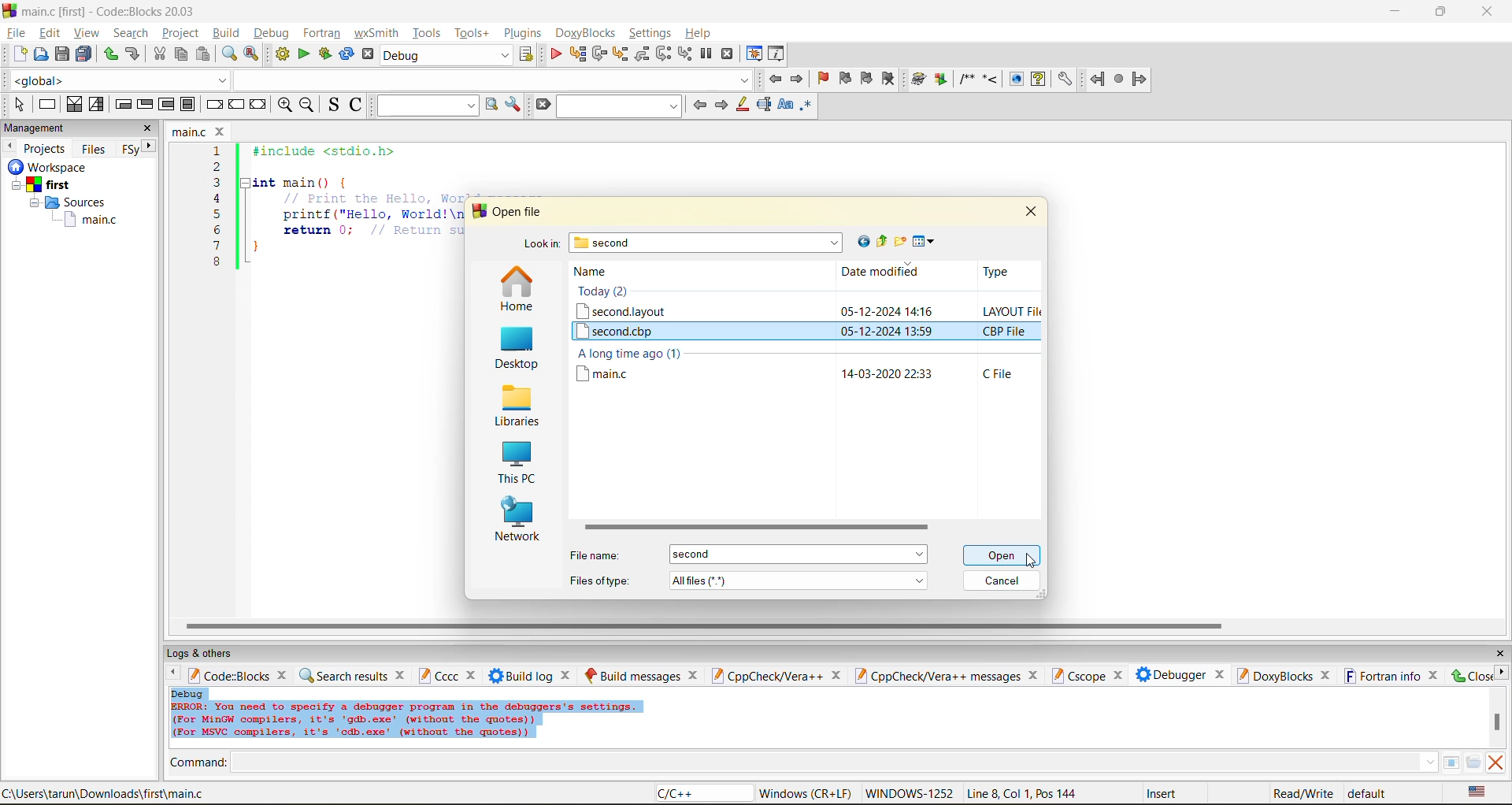 The width and height of the screenshot is (1512, 805). I want to click on 2, so click(217, 167).